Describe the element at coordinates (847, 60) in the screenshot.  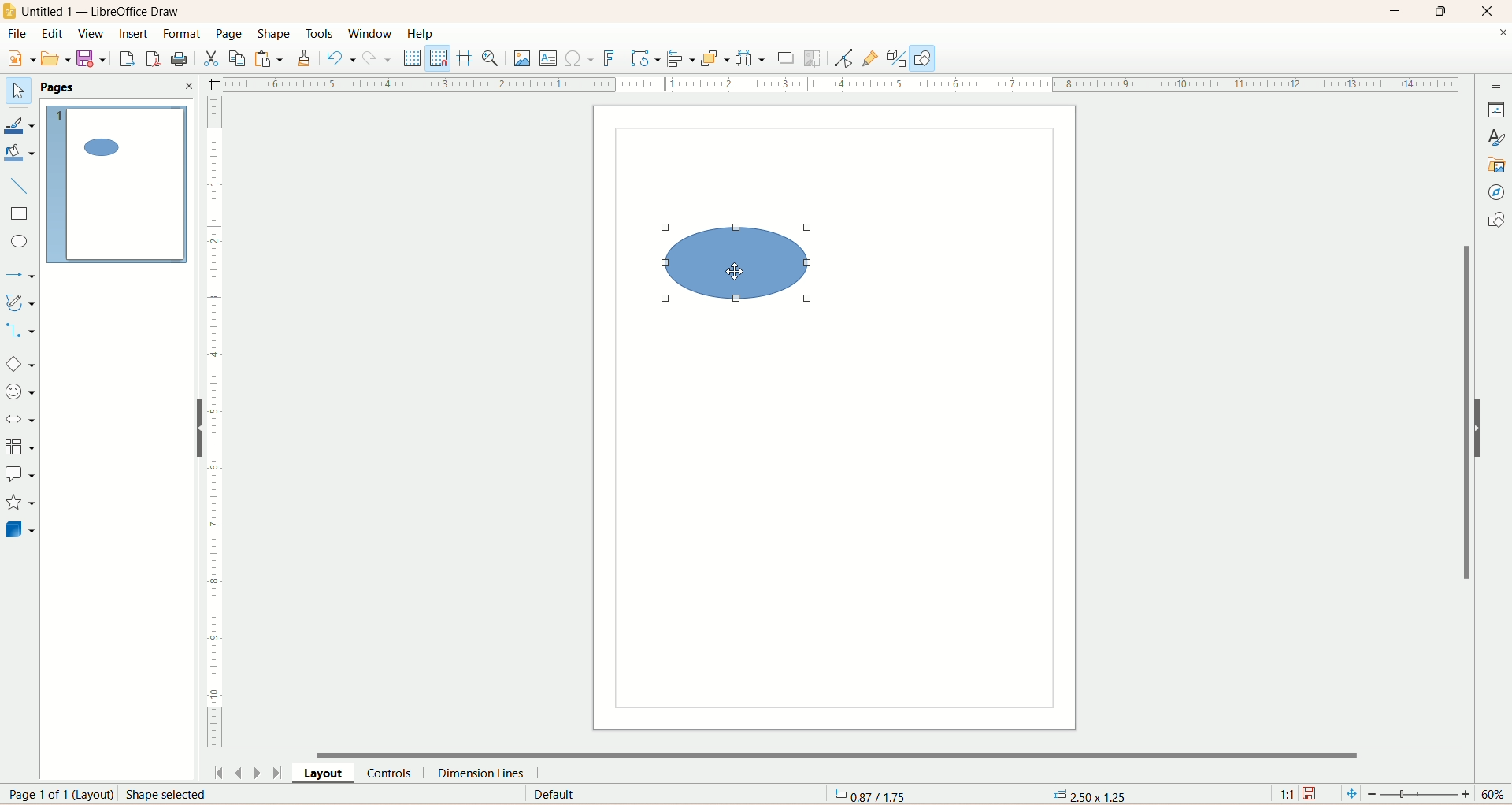
I see `point edit mode` at that location.